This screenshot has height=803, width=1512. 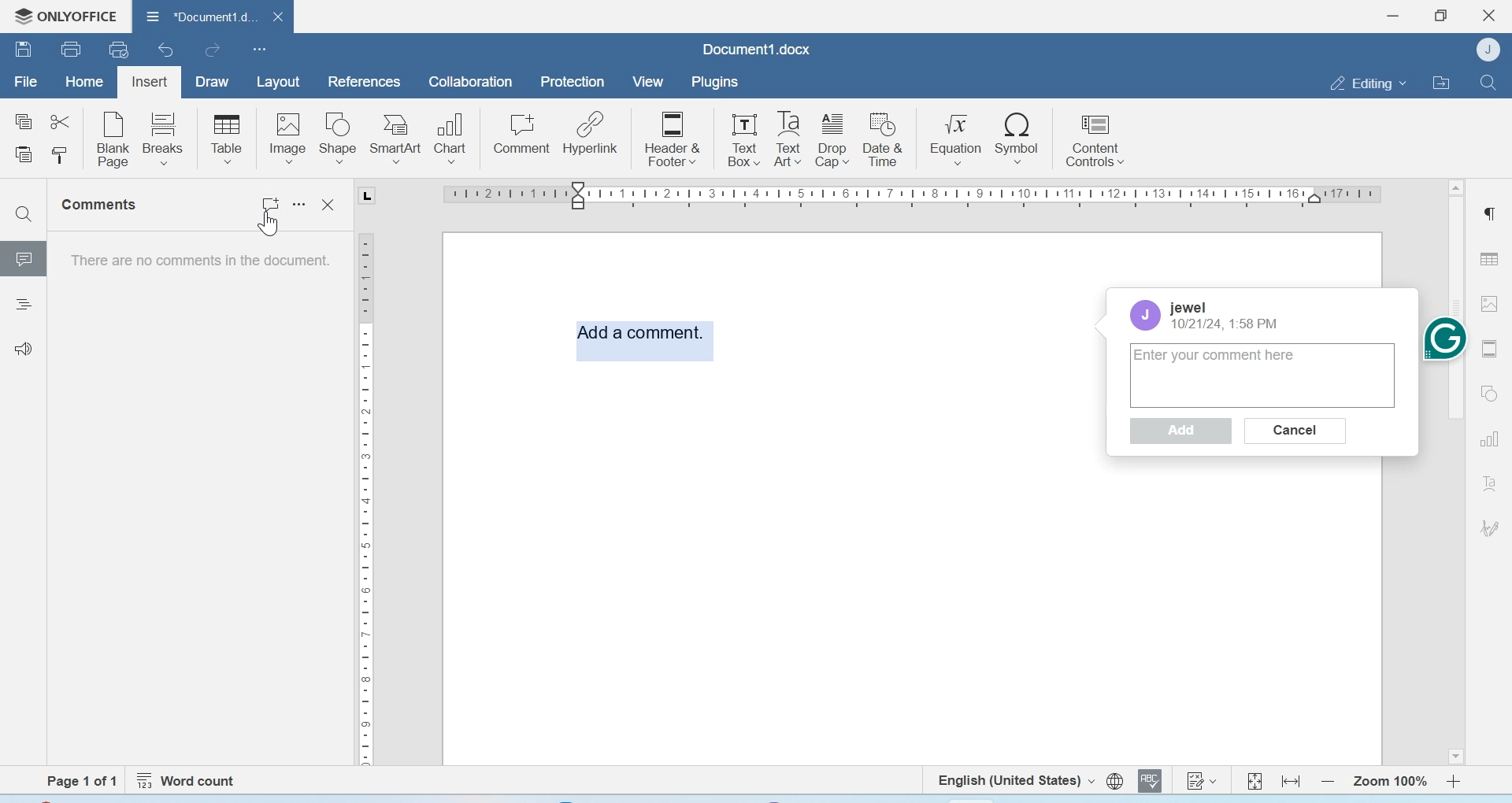 I want to click on Chart, so click(x=452, y=136).